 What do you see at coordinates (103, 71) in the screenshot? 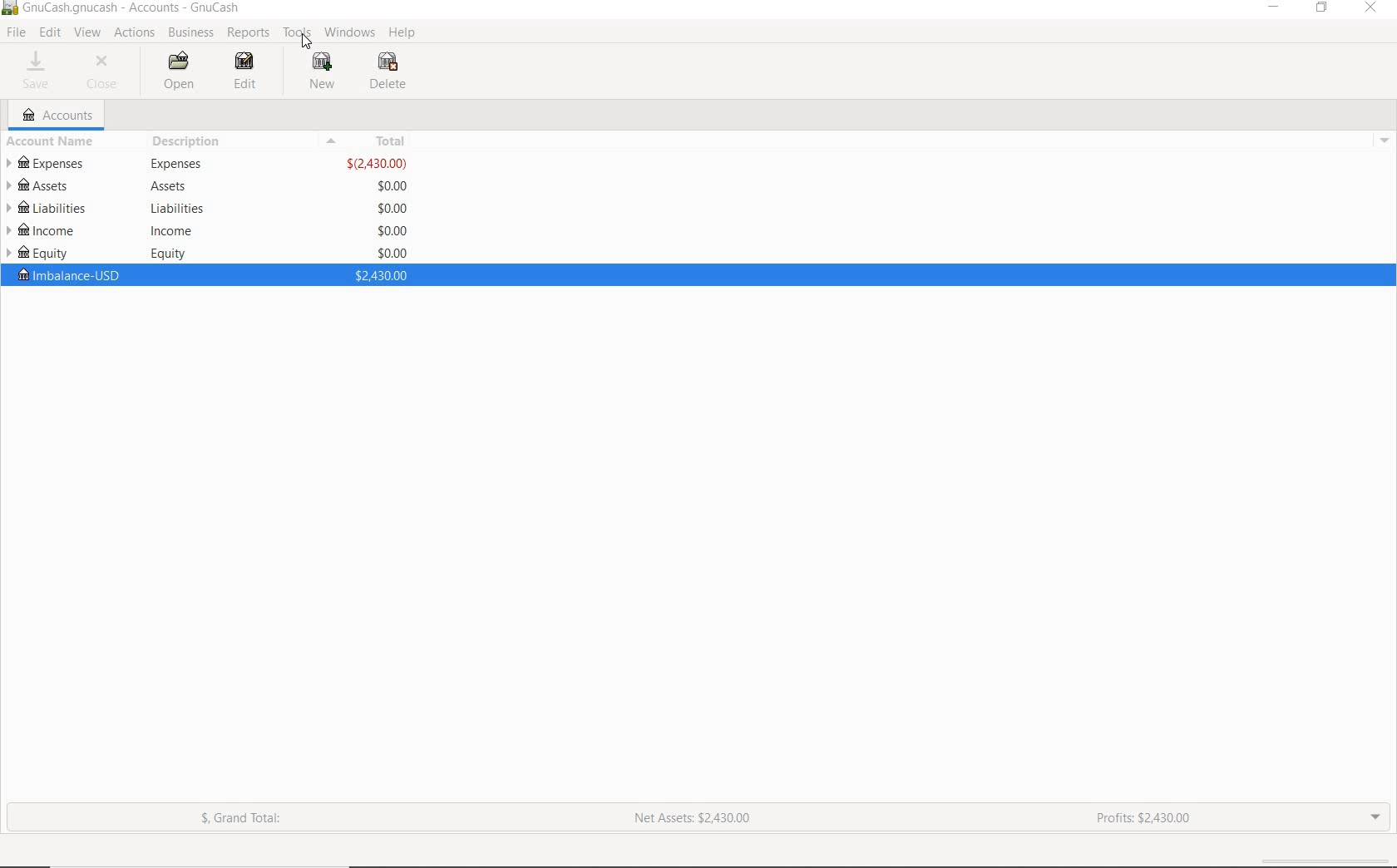
I see `CLOSE` at bounding box center [103, 71].